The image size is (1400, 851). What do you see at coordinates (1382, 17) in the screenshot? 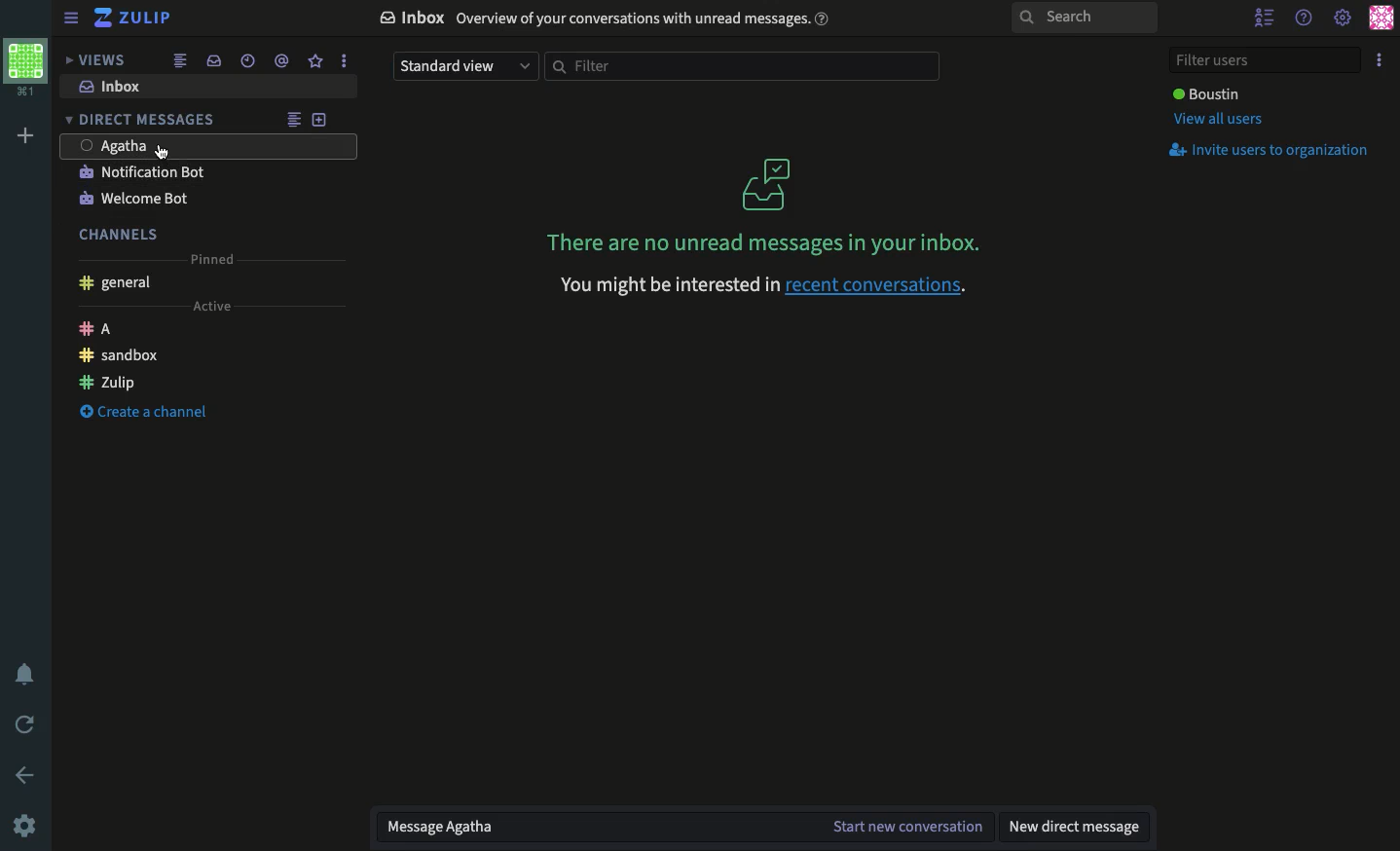
I see `Profile` at bounding box center [1382, 17].